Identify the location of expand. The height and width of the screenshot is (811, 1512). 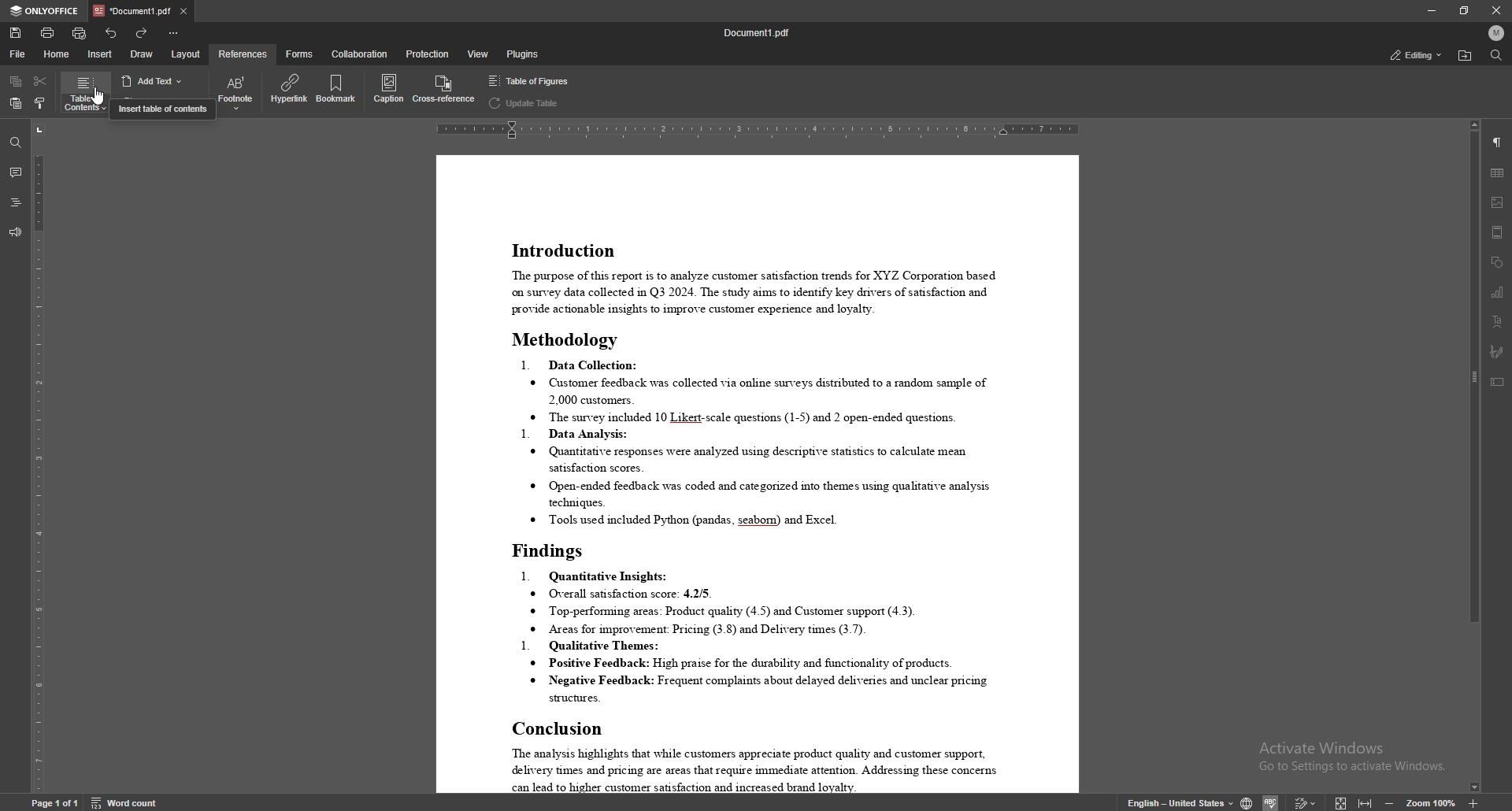
(1357, 802).